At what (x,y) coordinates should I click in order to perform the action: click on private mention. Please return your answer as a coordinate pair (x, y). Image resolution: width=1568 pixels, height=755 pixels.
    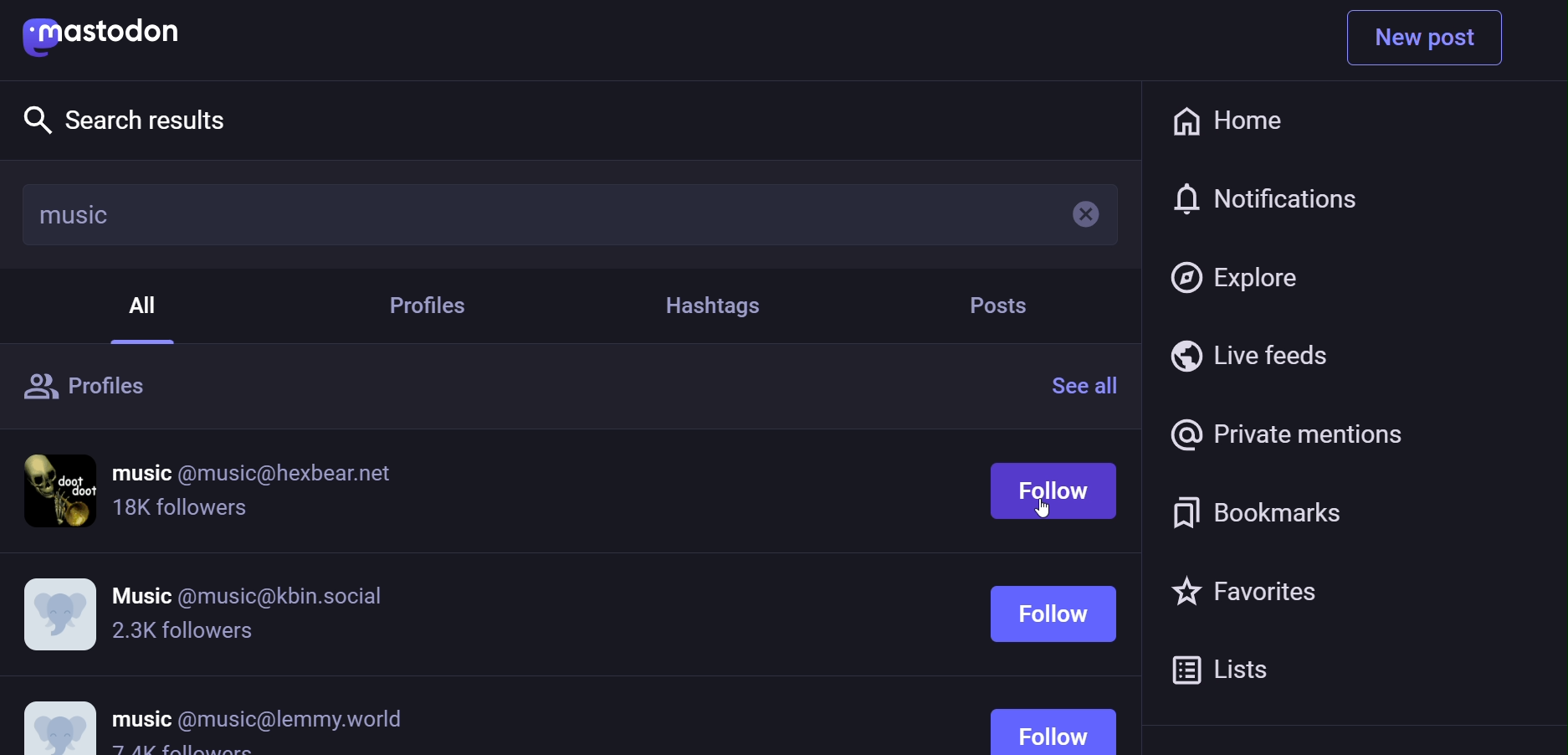
    Looking at the image, I should click on (1284, 434).